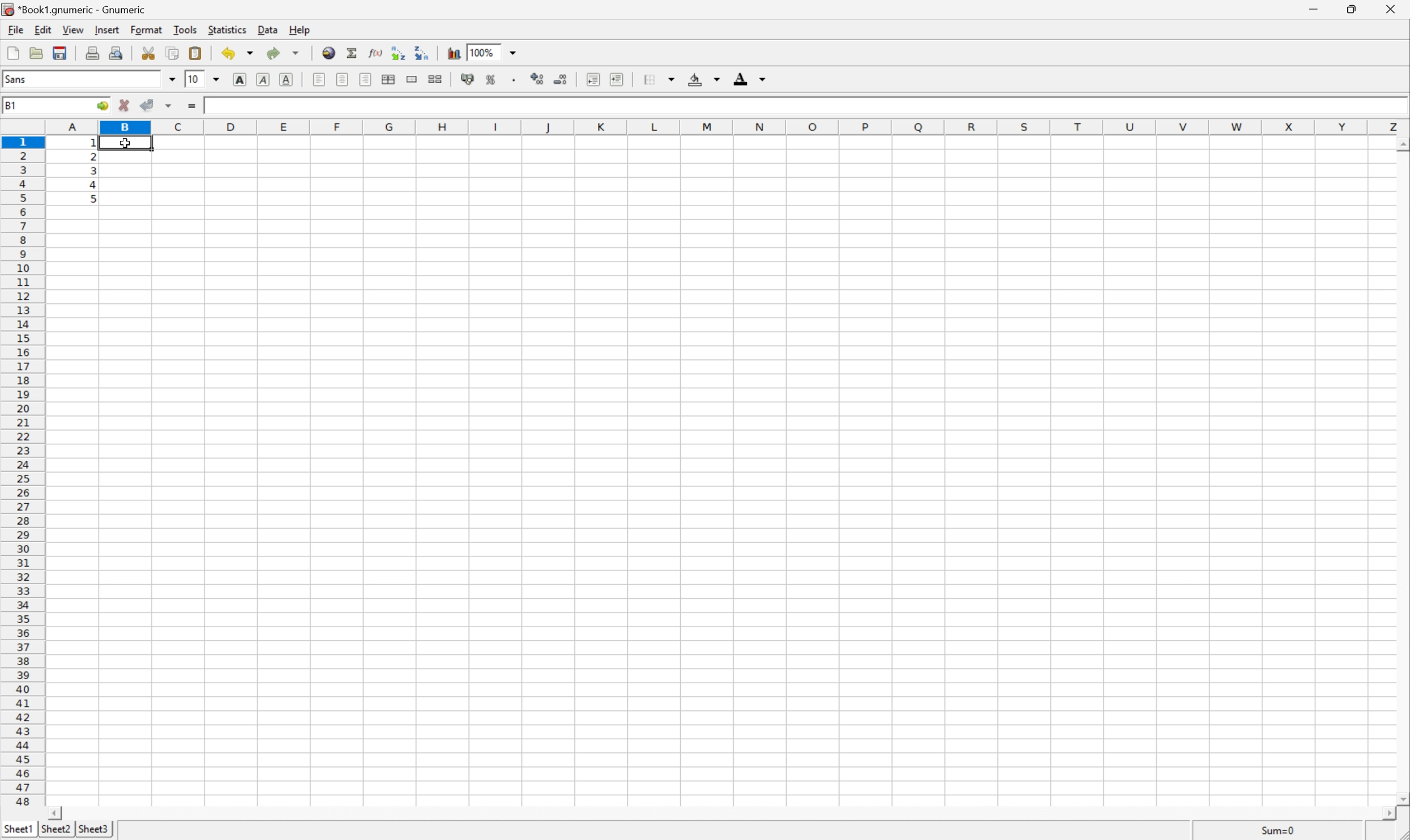 The image size is (1410, 840). I want to click on Format selection as accounting, so click(466, 79).